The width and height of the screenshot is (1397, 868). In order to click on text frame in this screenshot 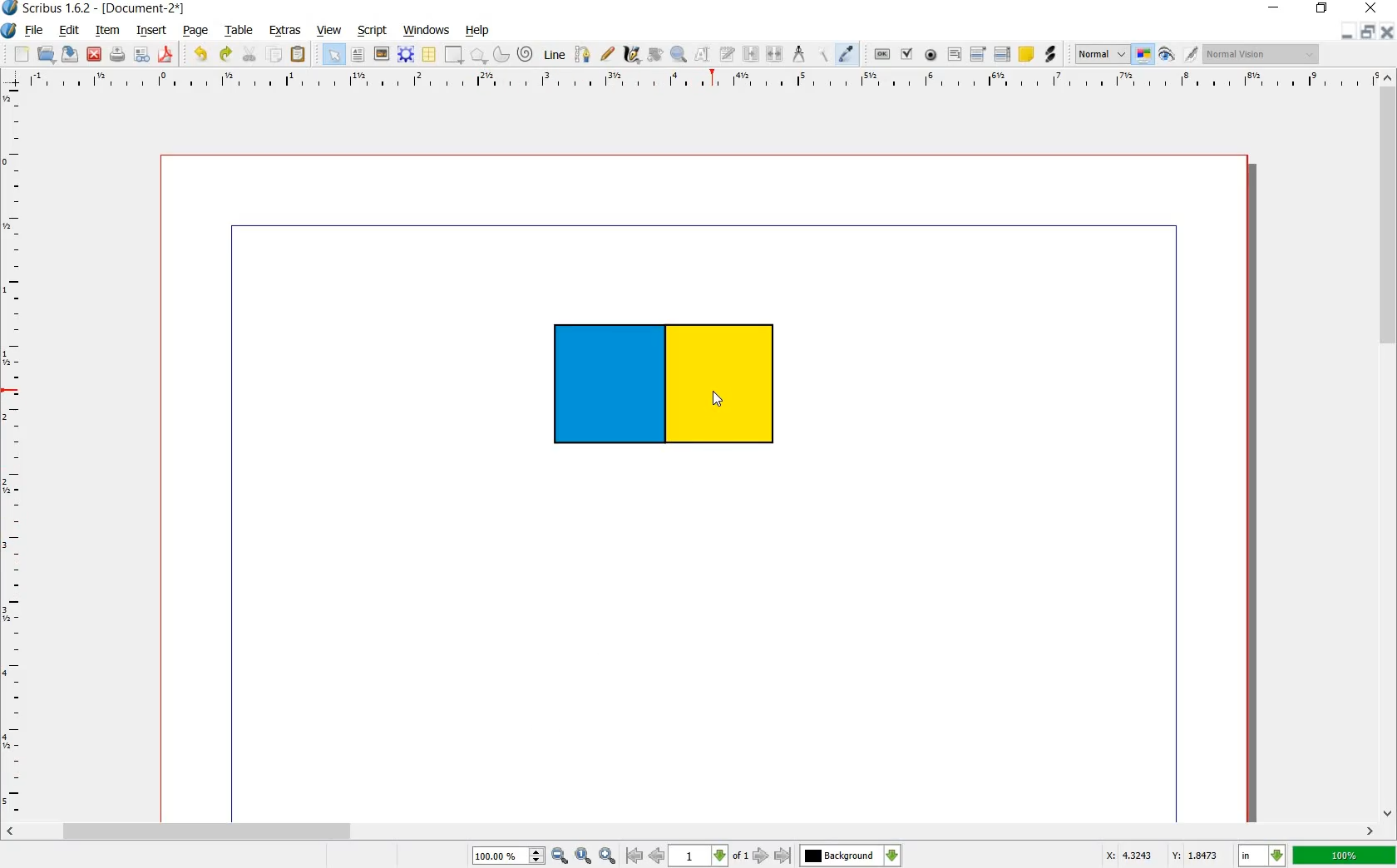, I will do `click(333, 54)`.